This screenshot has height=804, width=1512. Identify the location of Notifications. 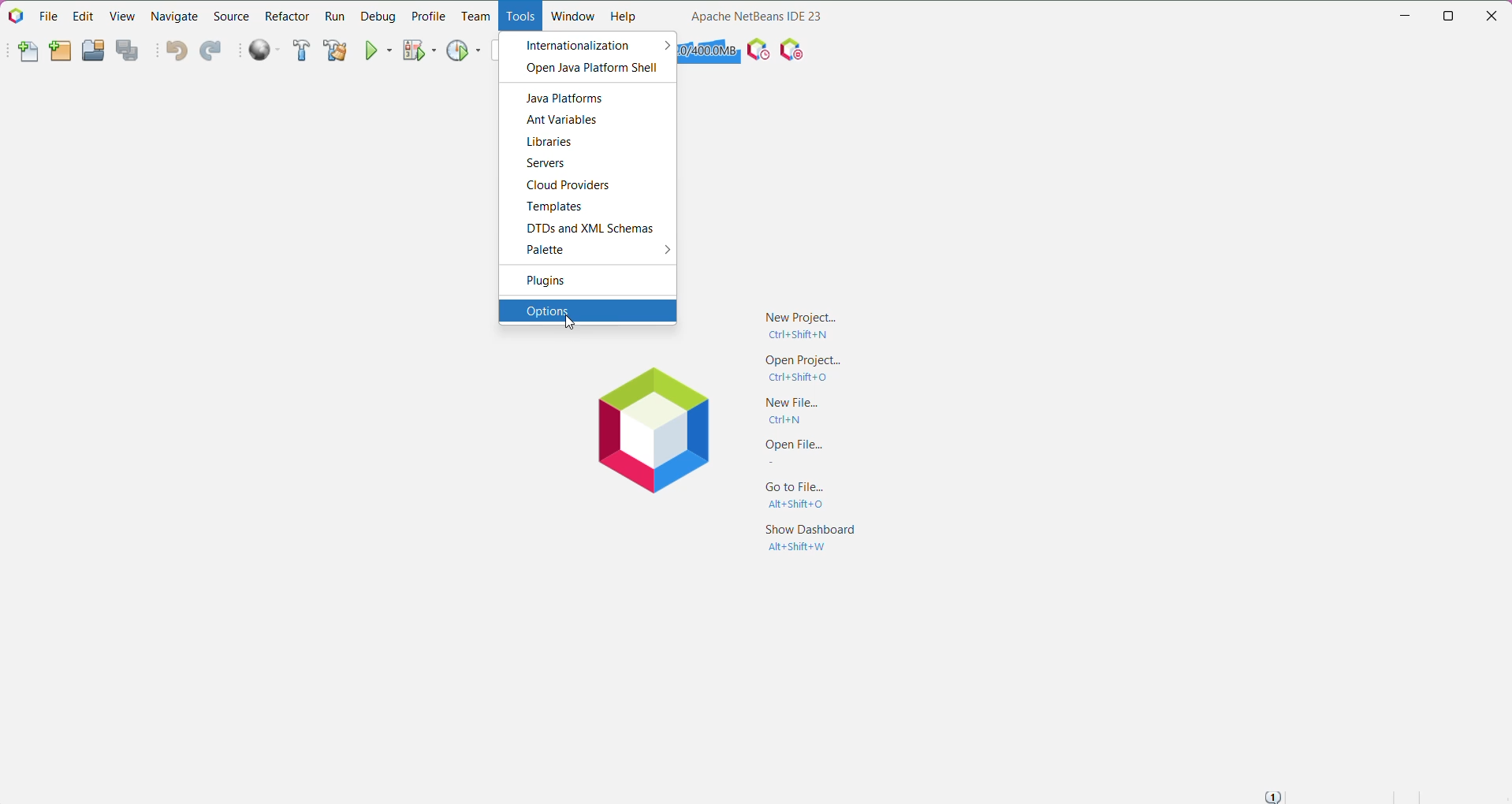
(1272, 796).